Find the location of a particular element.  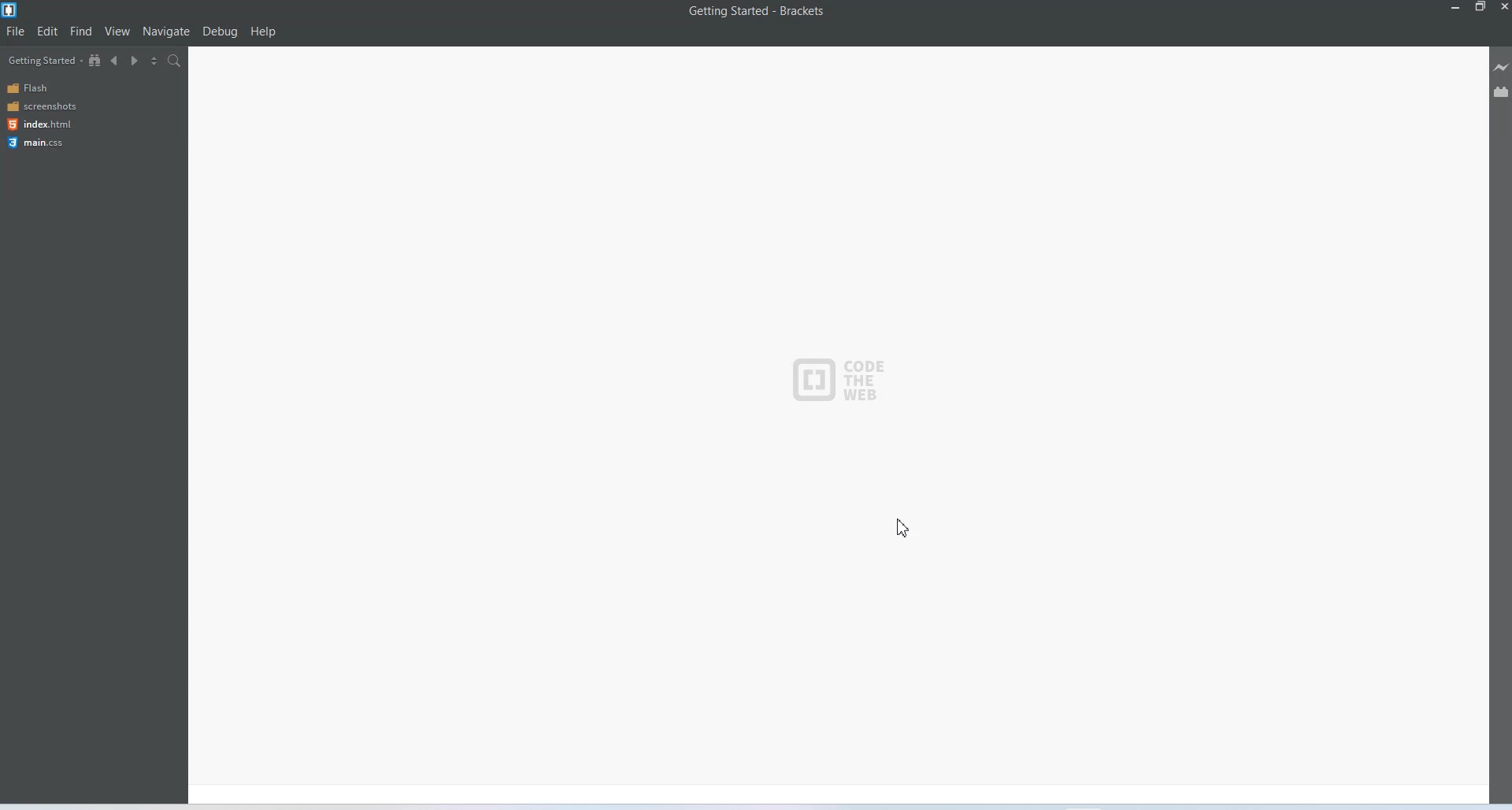

Find is located at coordinates (81, 32).